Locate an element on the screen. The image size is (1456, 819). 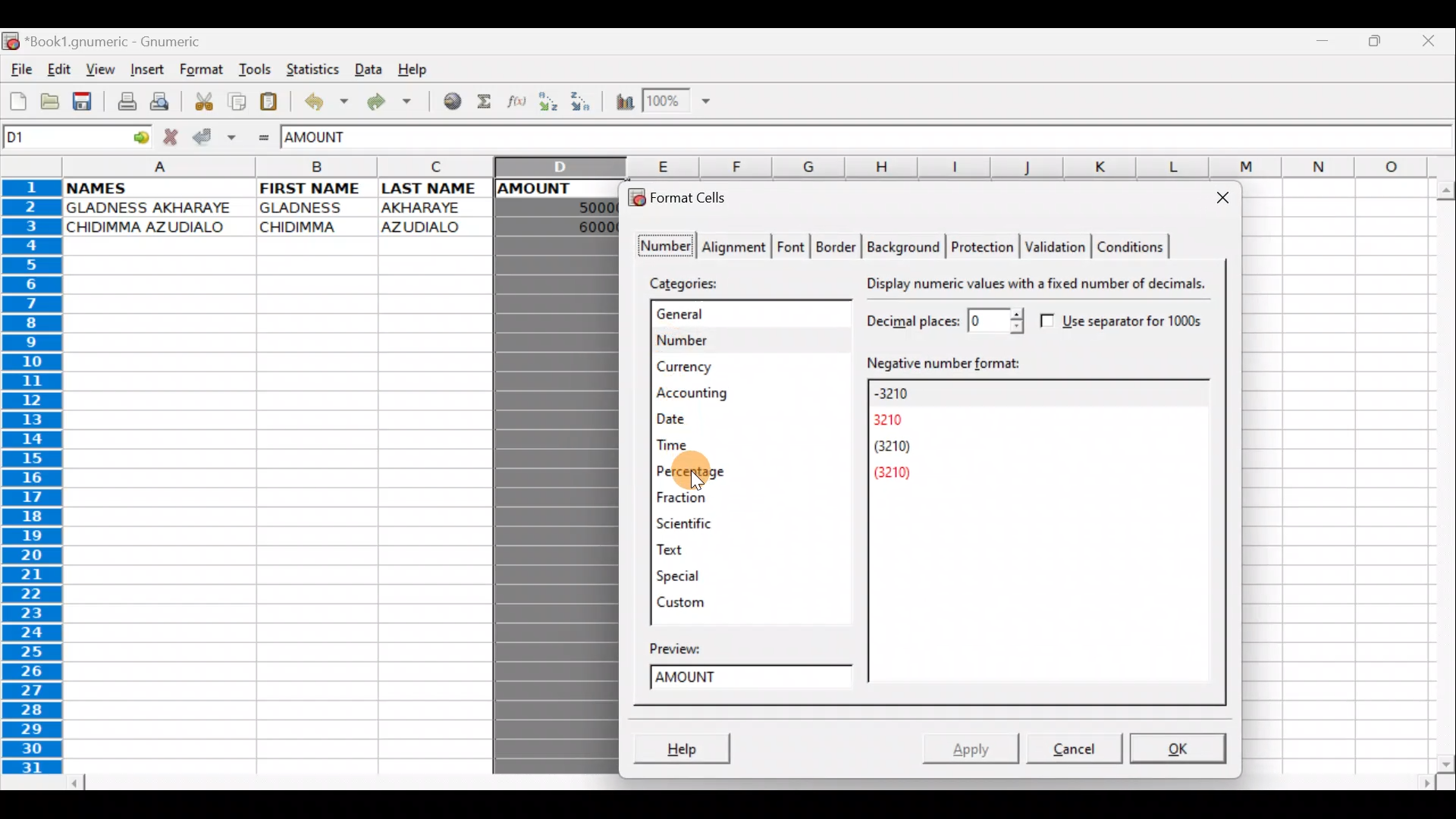
Display numeric values with a fixed number of decimals is located at coordinates (1041, 284).